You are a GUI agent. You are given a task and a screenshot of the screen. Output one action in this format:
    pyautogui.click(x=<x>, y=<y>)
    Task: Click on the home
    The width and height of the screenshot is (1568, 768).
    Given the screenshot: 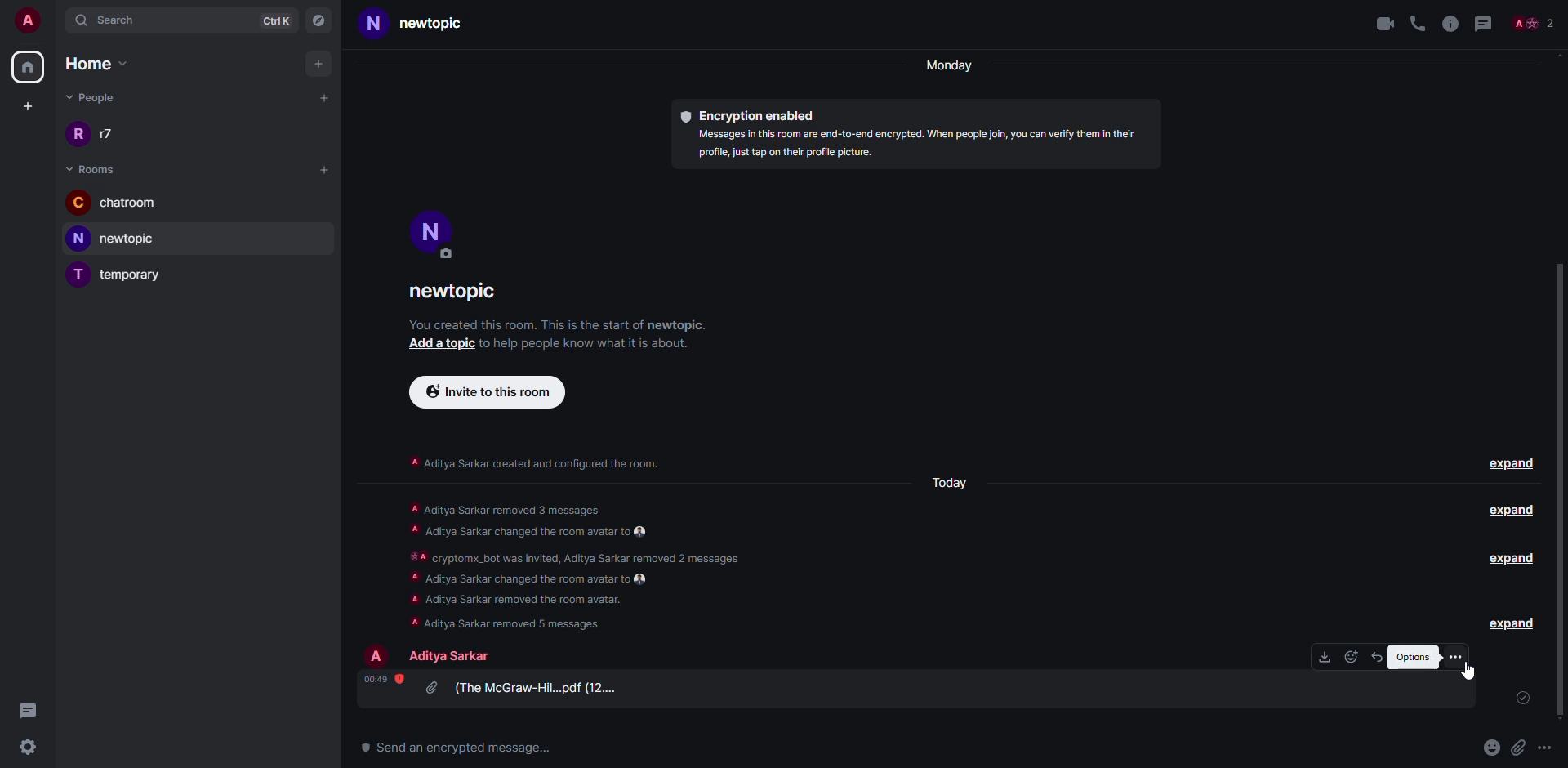 What is the action you would take?
    pyautogui.click(x=29, y=66)
    